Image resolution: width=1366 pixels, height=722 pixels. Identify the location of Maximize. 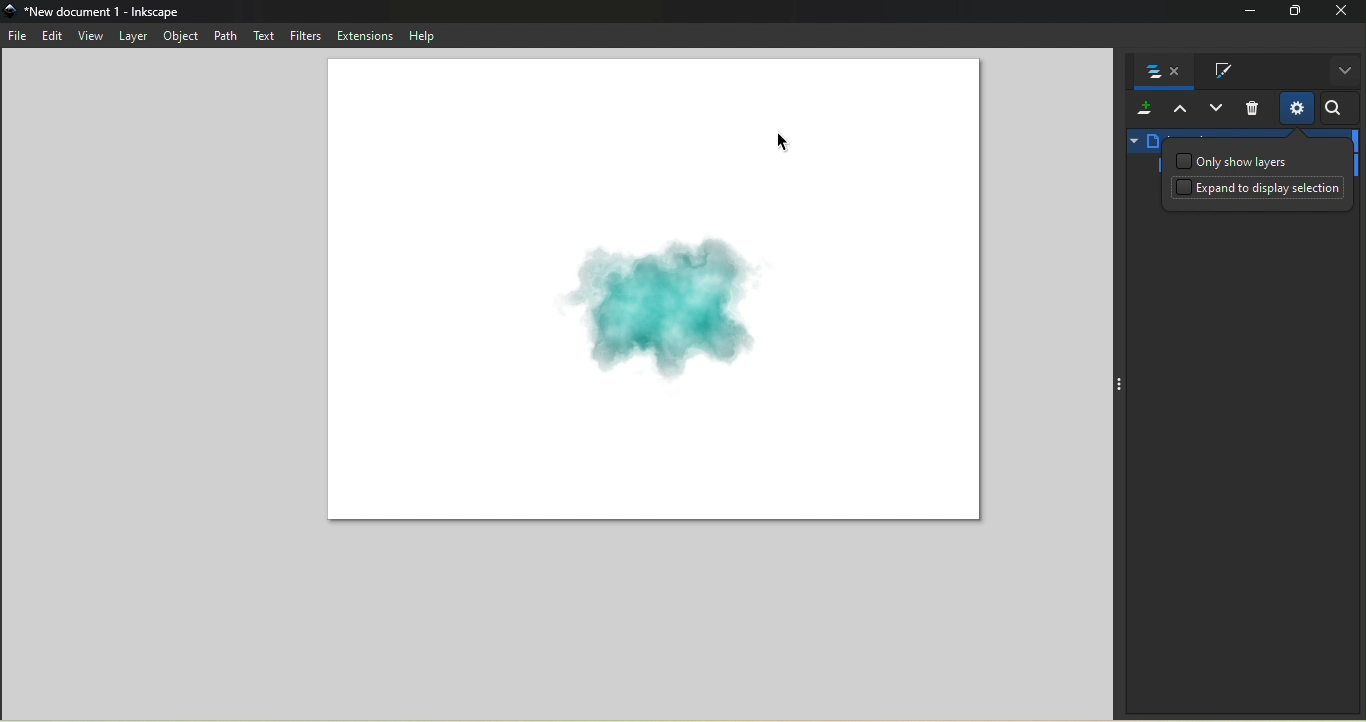
(1294, 11).